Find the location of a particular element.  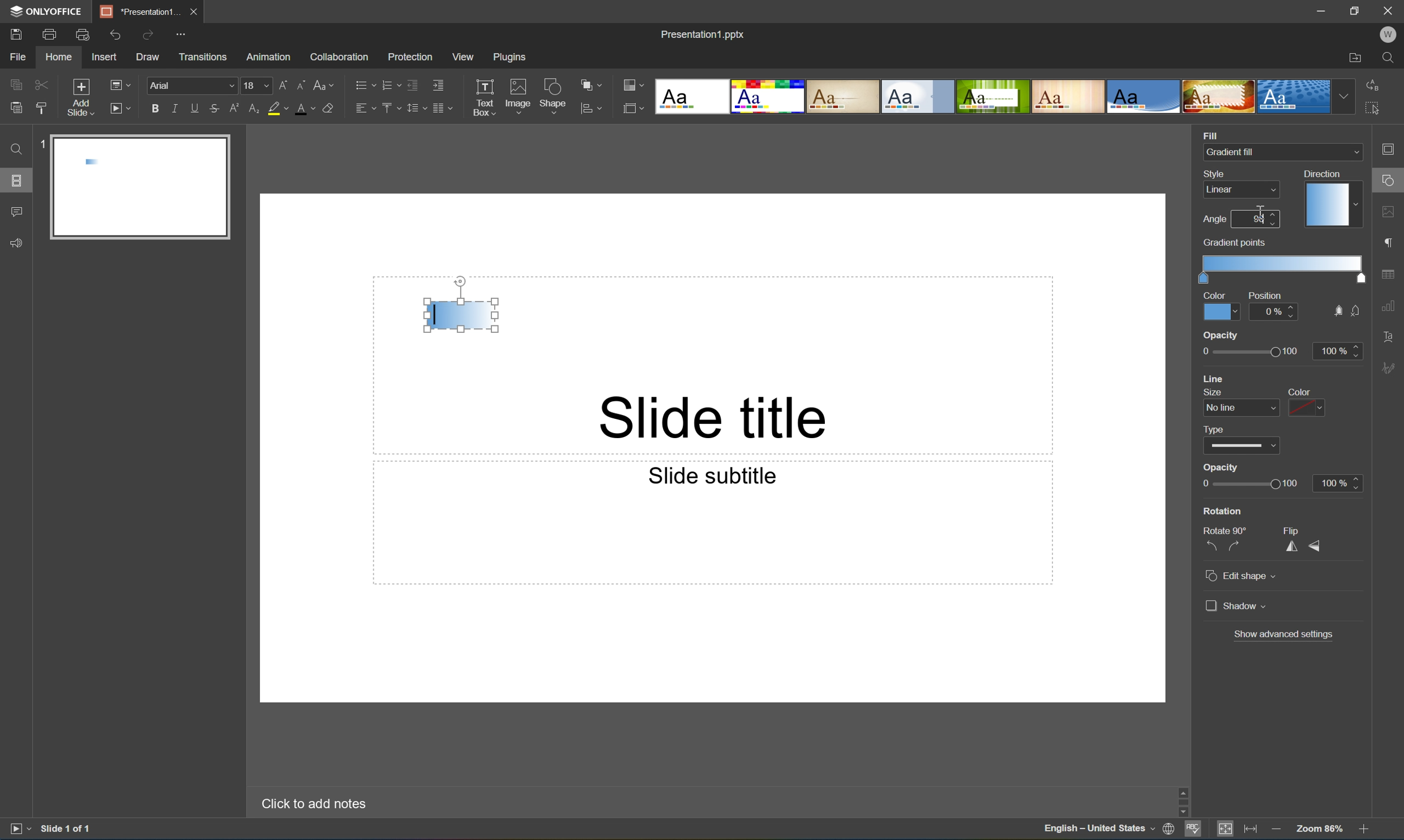

Highlight is located at coordinates (279, 109).